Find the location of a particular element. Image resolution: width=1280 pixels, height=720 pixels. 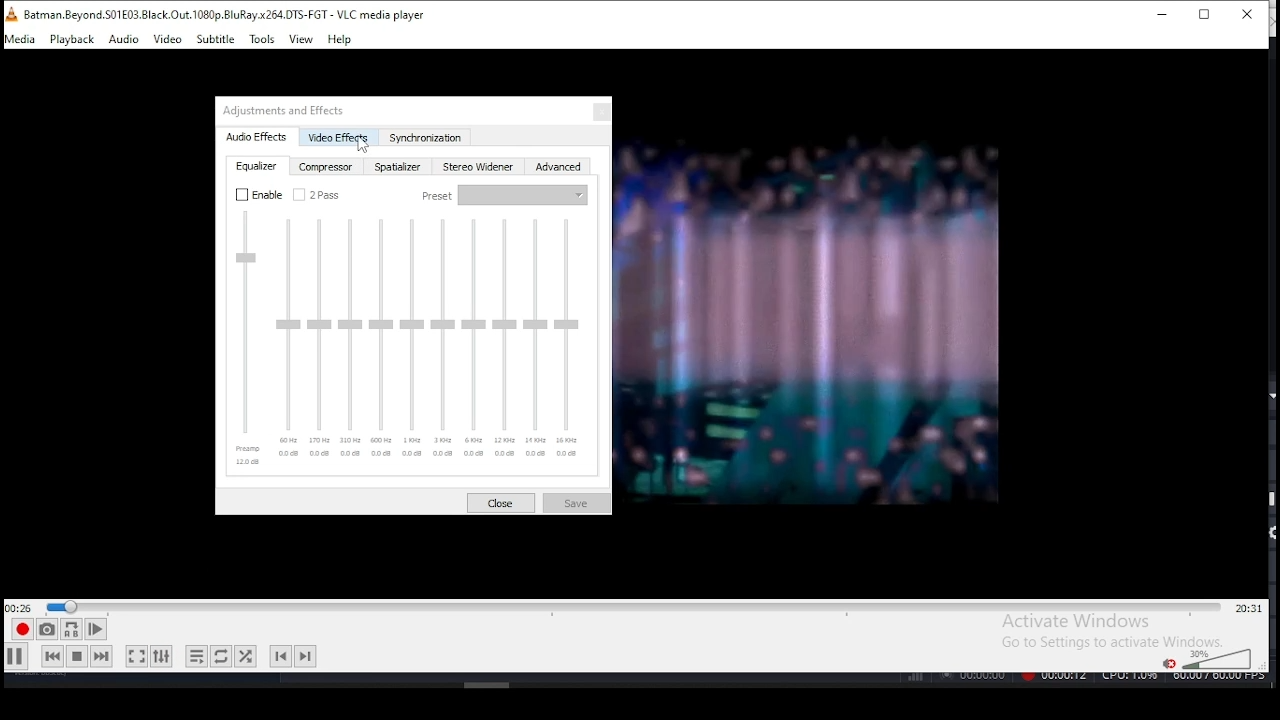

loop between point A and point B continuously. Click to set point A is located at coordinates (69, 630).